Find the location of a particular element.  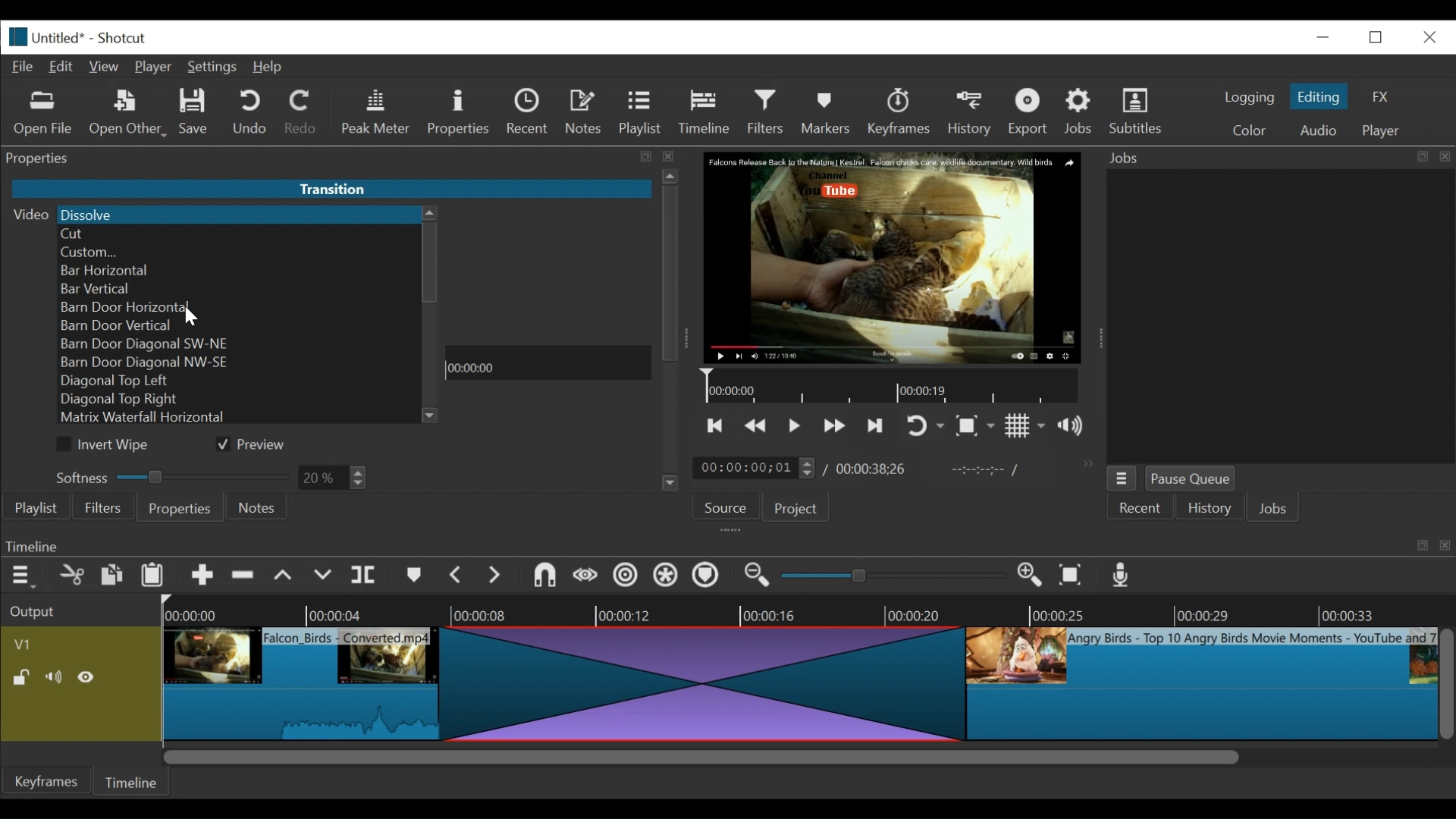

split at playhead is located at coordinates (366, 576).